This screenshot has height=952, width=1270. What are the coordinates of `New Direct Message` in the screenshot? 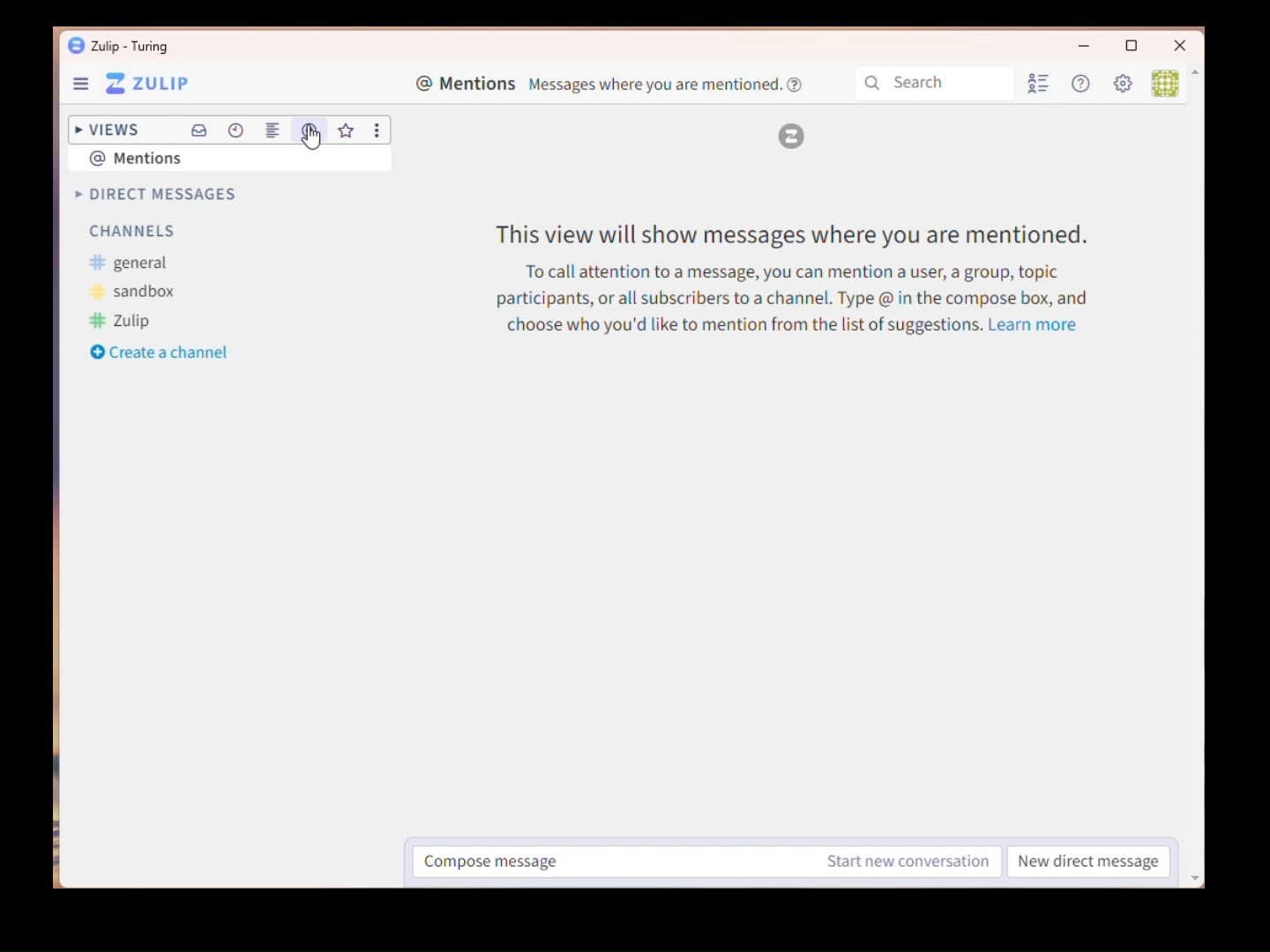 It's located at (1089, 863).